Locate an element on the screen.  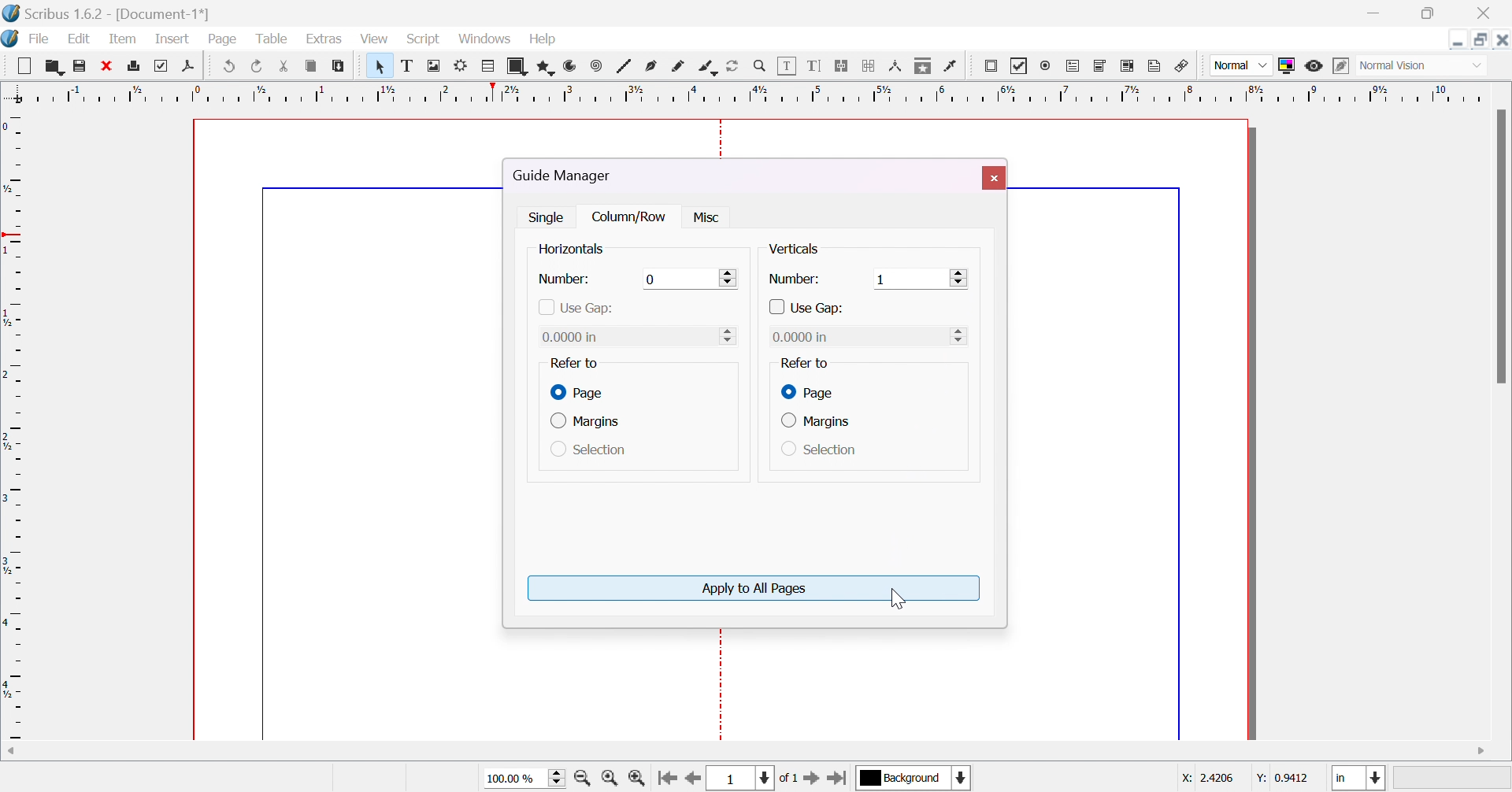
select current page is located at coordinates (755, 778).